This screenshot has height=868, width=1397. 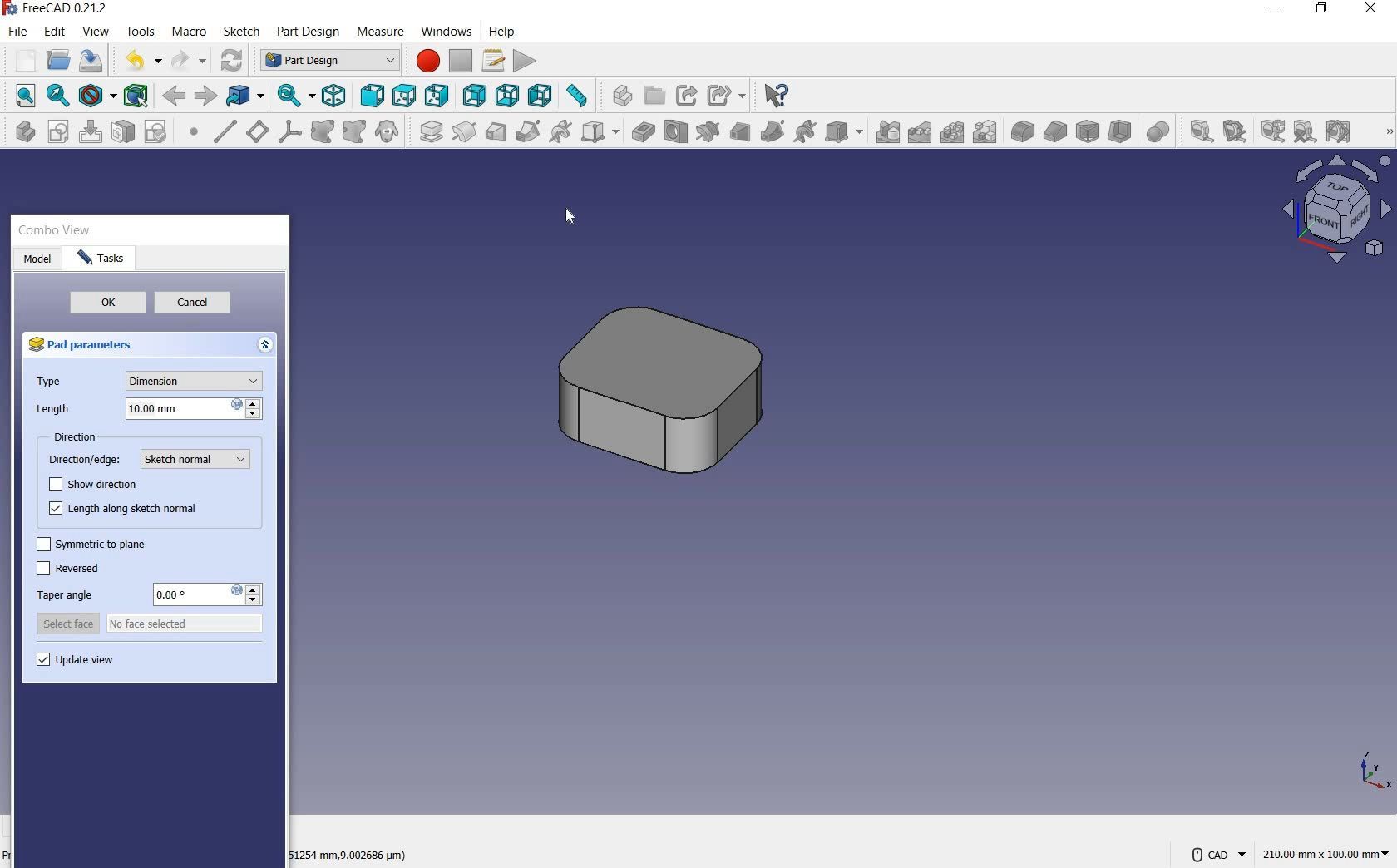 I want to click on direction, so click(x=72, y=437).